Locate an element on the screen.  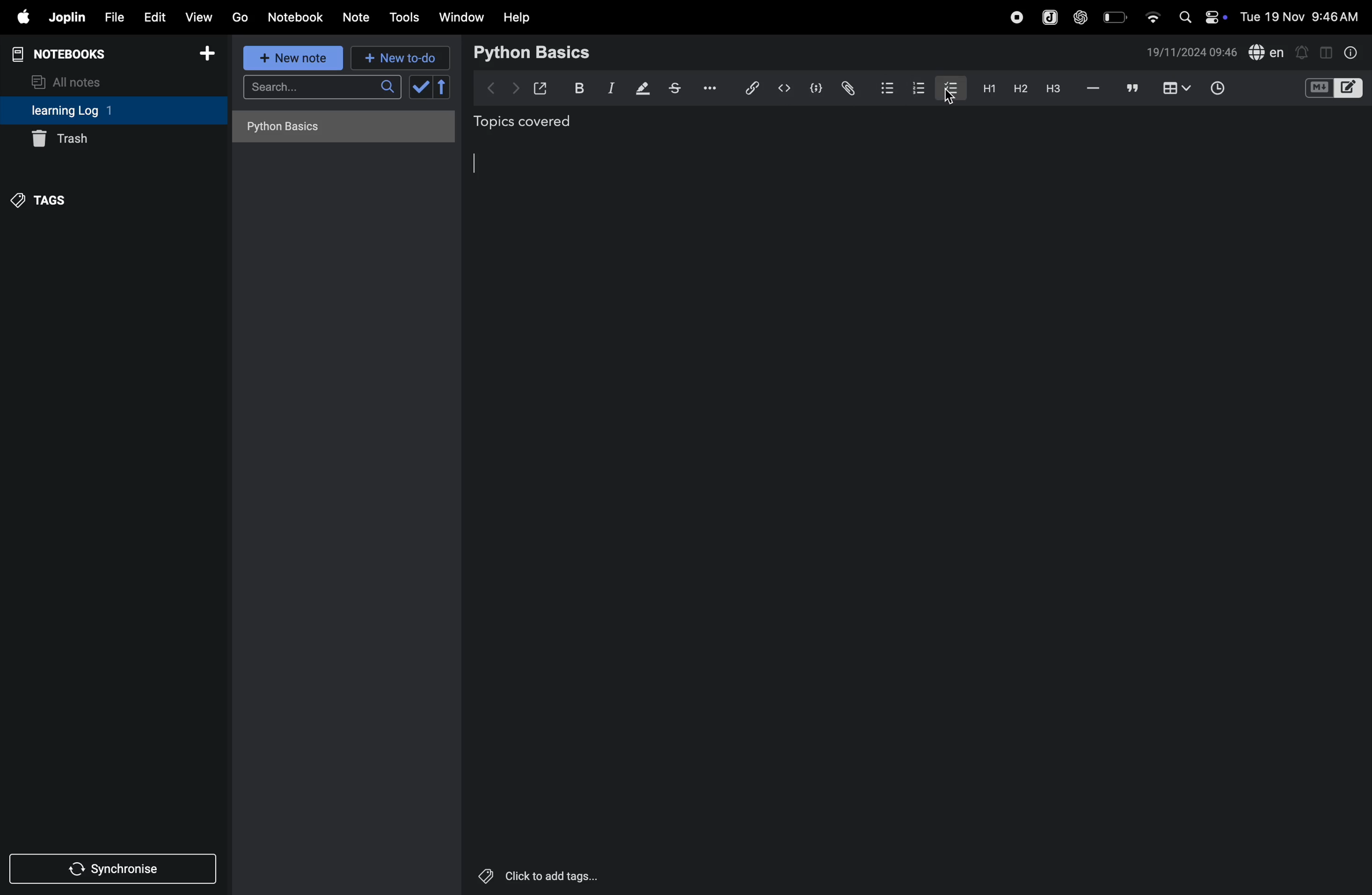
wifi is located at coordinates (1152, 13).